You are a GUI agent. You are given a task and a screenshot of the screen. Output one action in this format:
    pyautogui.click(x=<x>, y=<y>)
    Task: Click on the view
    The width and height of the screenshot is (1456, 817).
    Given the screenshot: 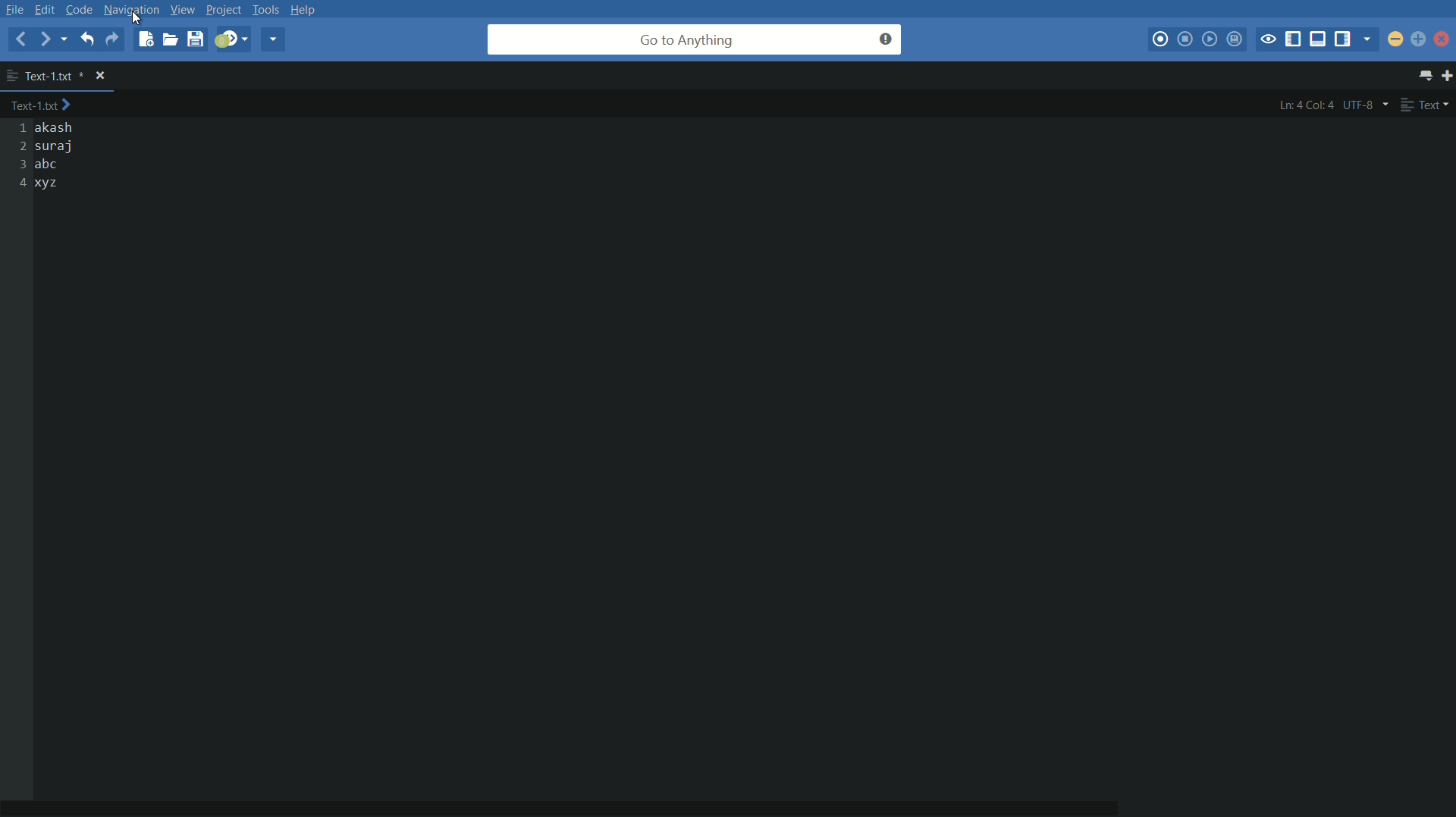 What is the action you would take?
    pyautogui.click(x=180, y=9)
    